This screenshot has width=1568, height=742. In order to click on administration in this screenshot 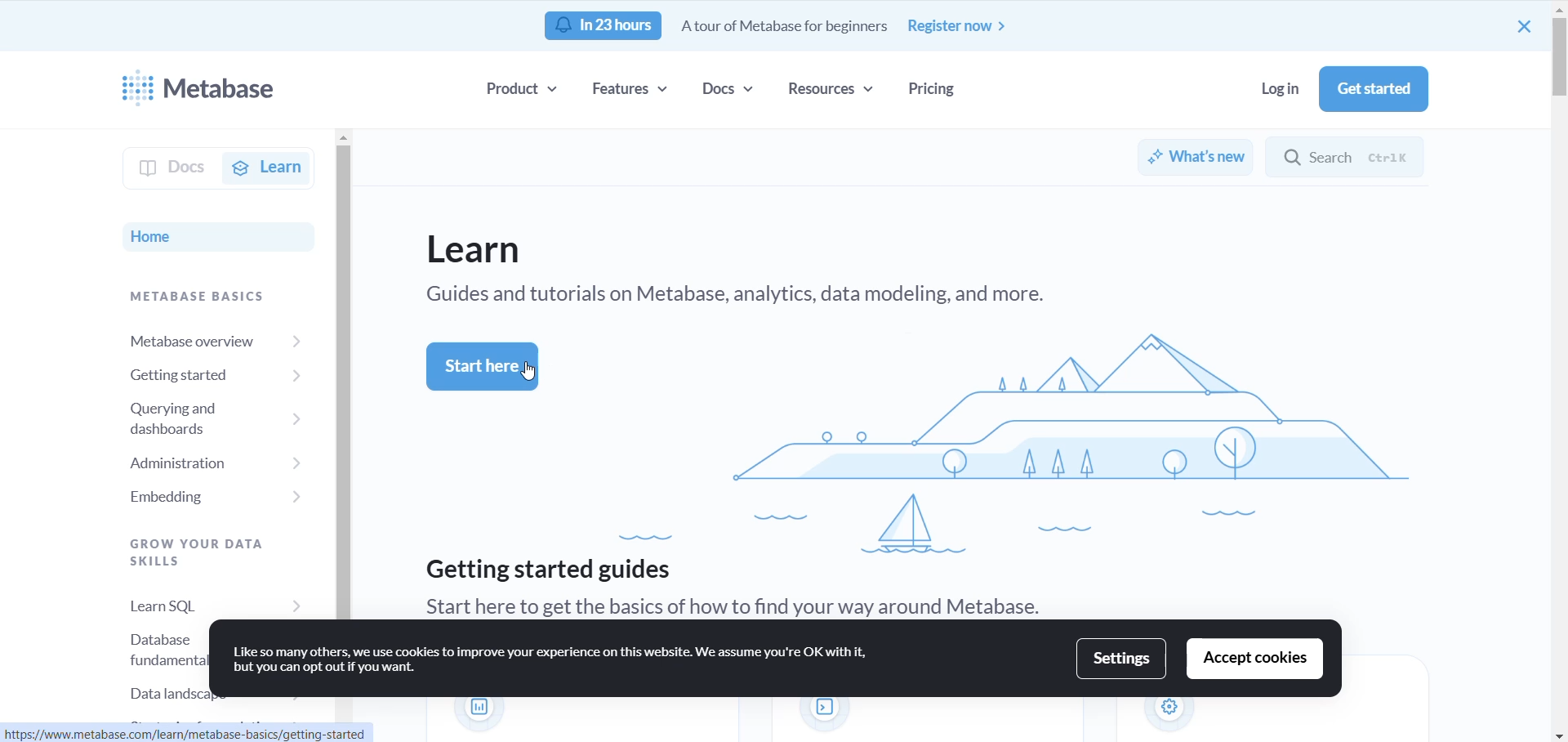, I will do `click(197, 459)`.